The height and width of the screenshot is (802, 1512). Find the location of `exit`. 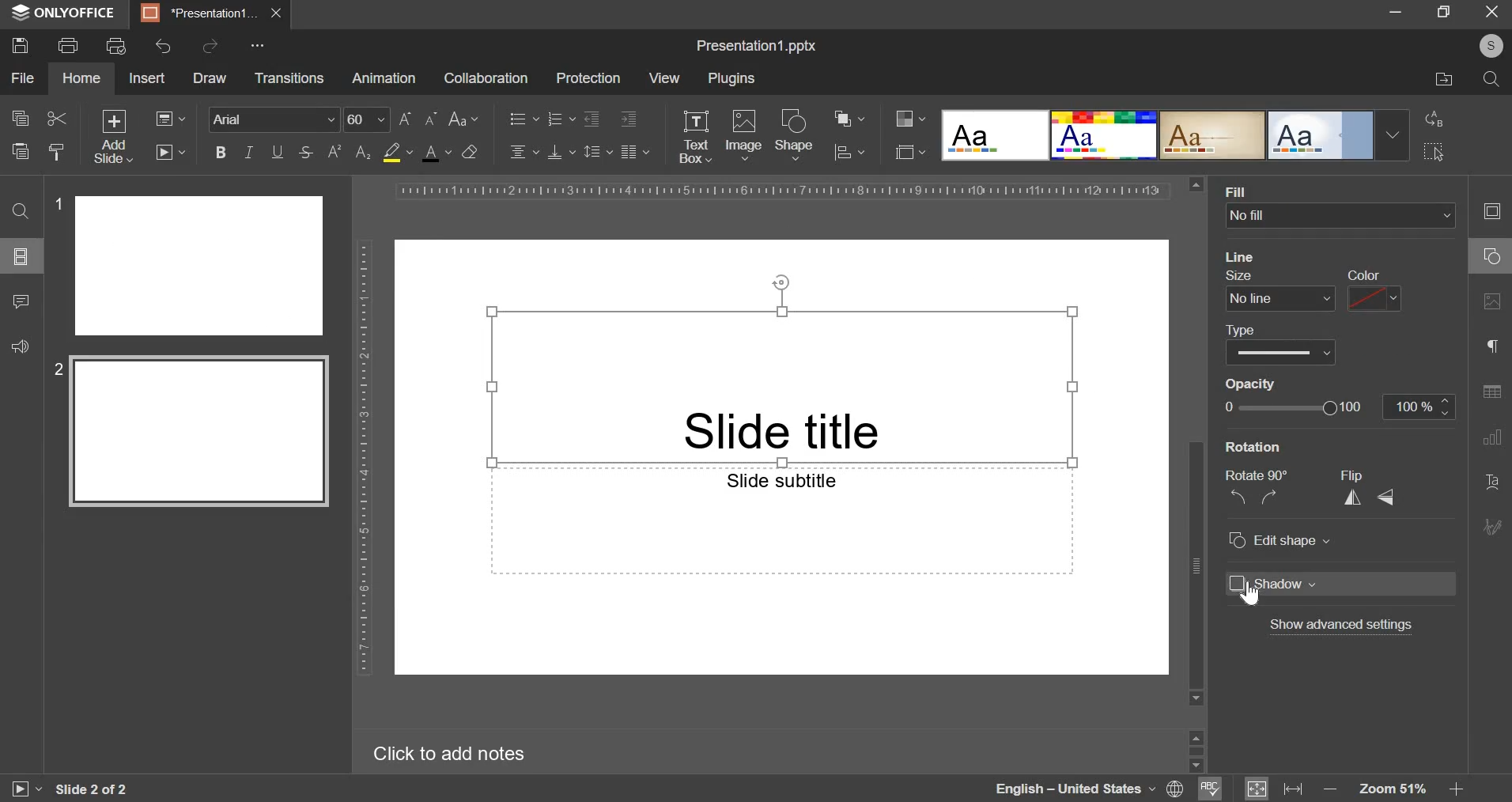

exit is located at coordinates (1493, 10).